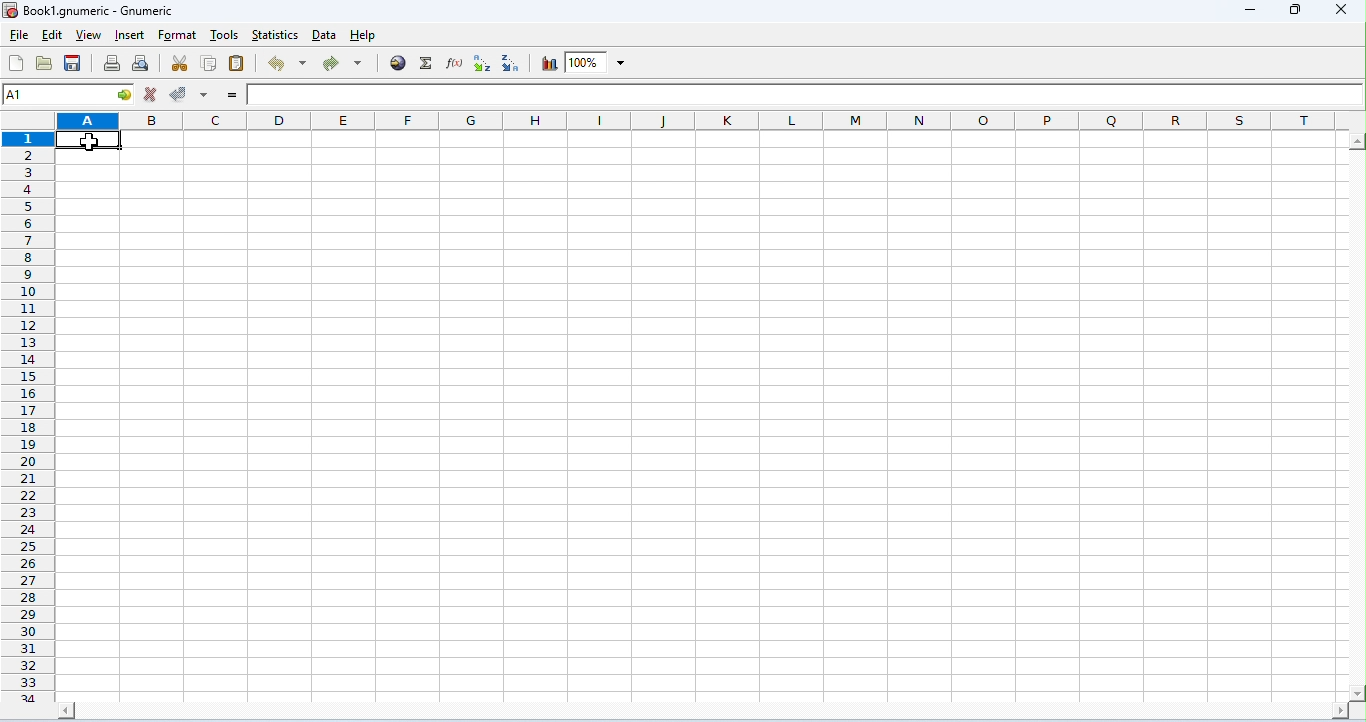 This screenshot has height=722, width=1366. I want to click on paste, so click(236, 62).